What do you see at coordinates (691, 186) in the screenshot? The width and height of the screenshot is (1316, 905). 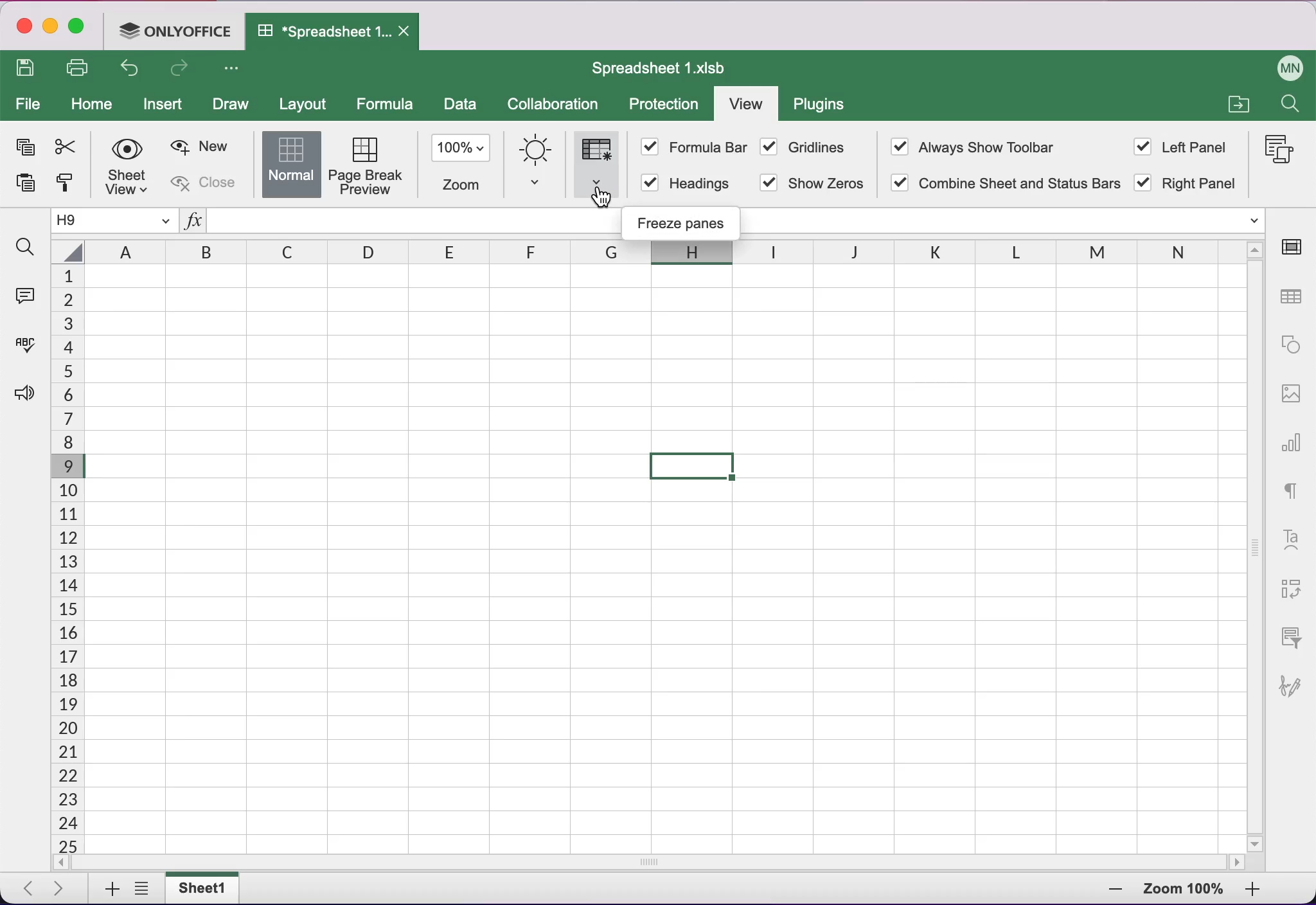 I see `headings` at bounding box center [691, 186].